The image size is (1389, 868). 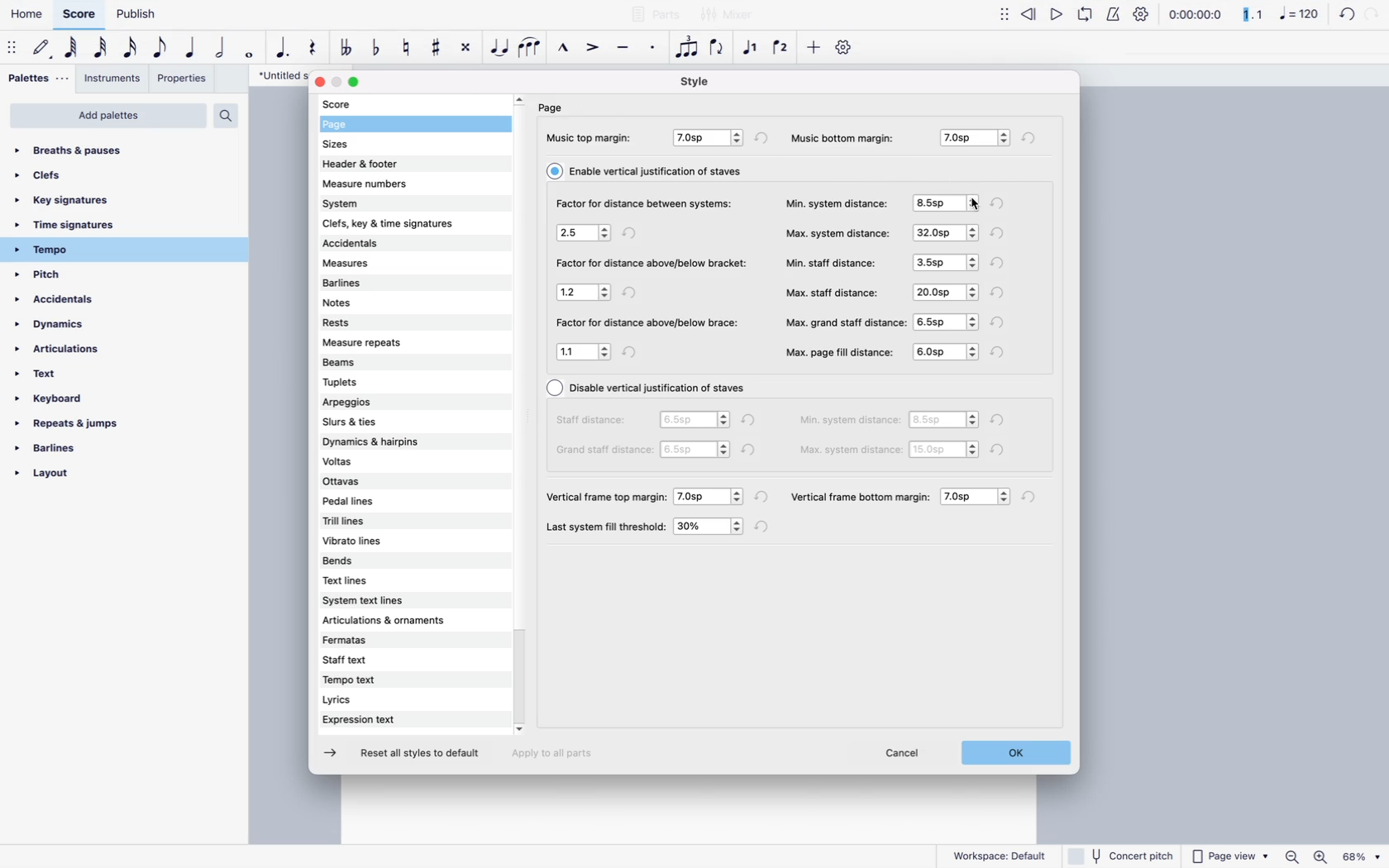 What do you see at coordinates (1352, 15) in the screenshot?
I see `refresh` at bounding box center [1352, 15].